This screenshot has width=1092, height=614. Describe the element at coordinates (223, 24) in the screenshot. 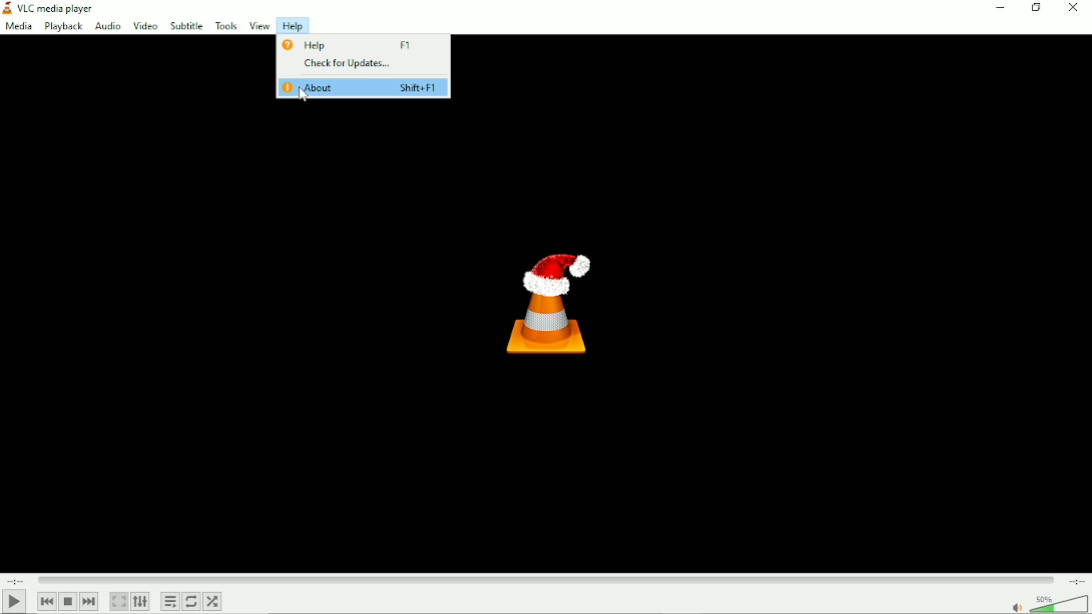

I see `Tools` at that location.